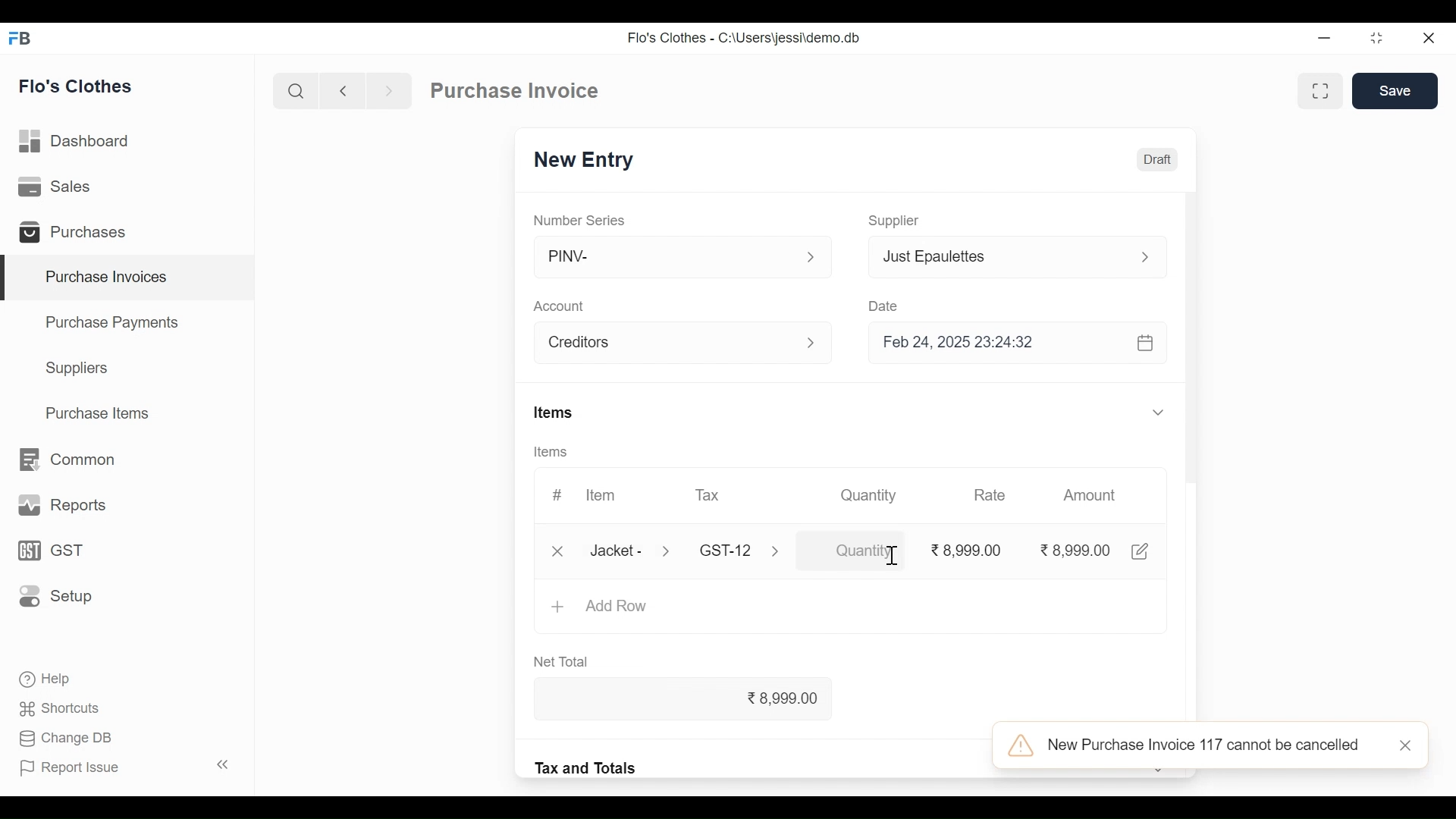  Describe the element at coordinates (514, 90) in the screenshot. I see `Purchase Invoice` at that location.